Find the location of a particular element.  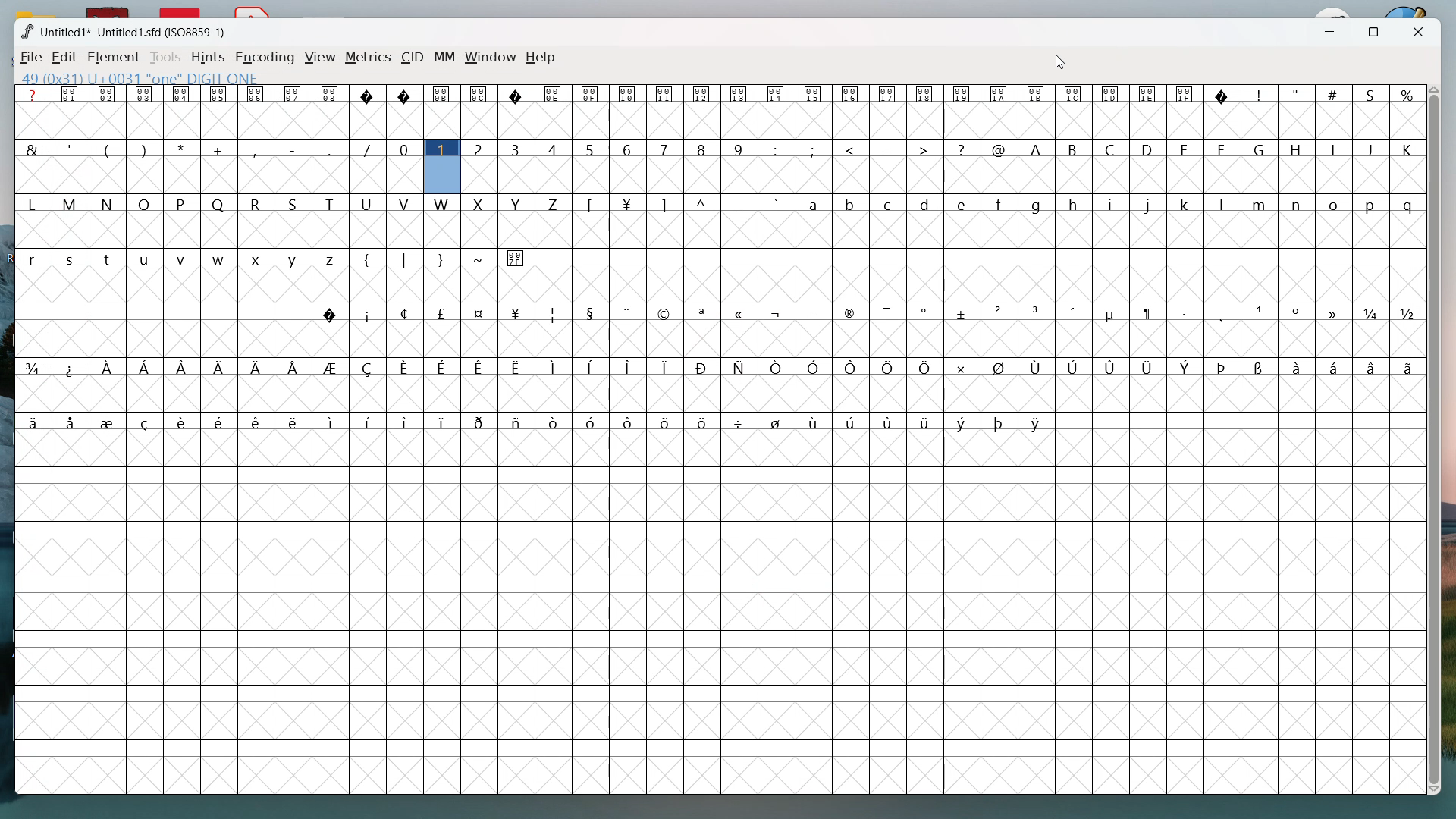

symbol is located at coordinates (147, 422).